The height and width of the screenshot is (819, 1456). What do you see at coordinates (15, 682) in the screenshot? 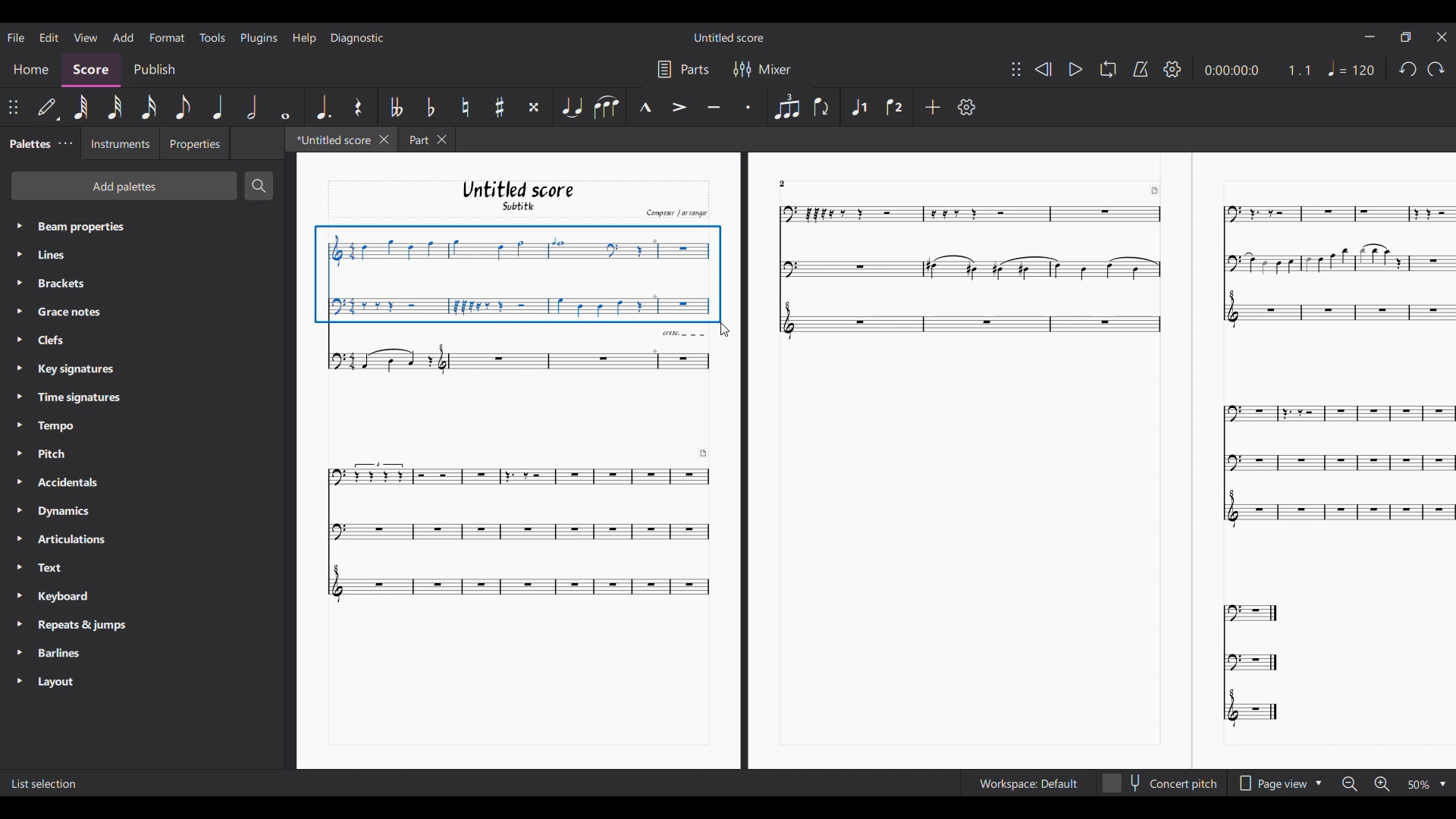
I see `` at bounding box center [15, 682].